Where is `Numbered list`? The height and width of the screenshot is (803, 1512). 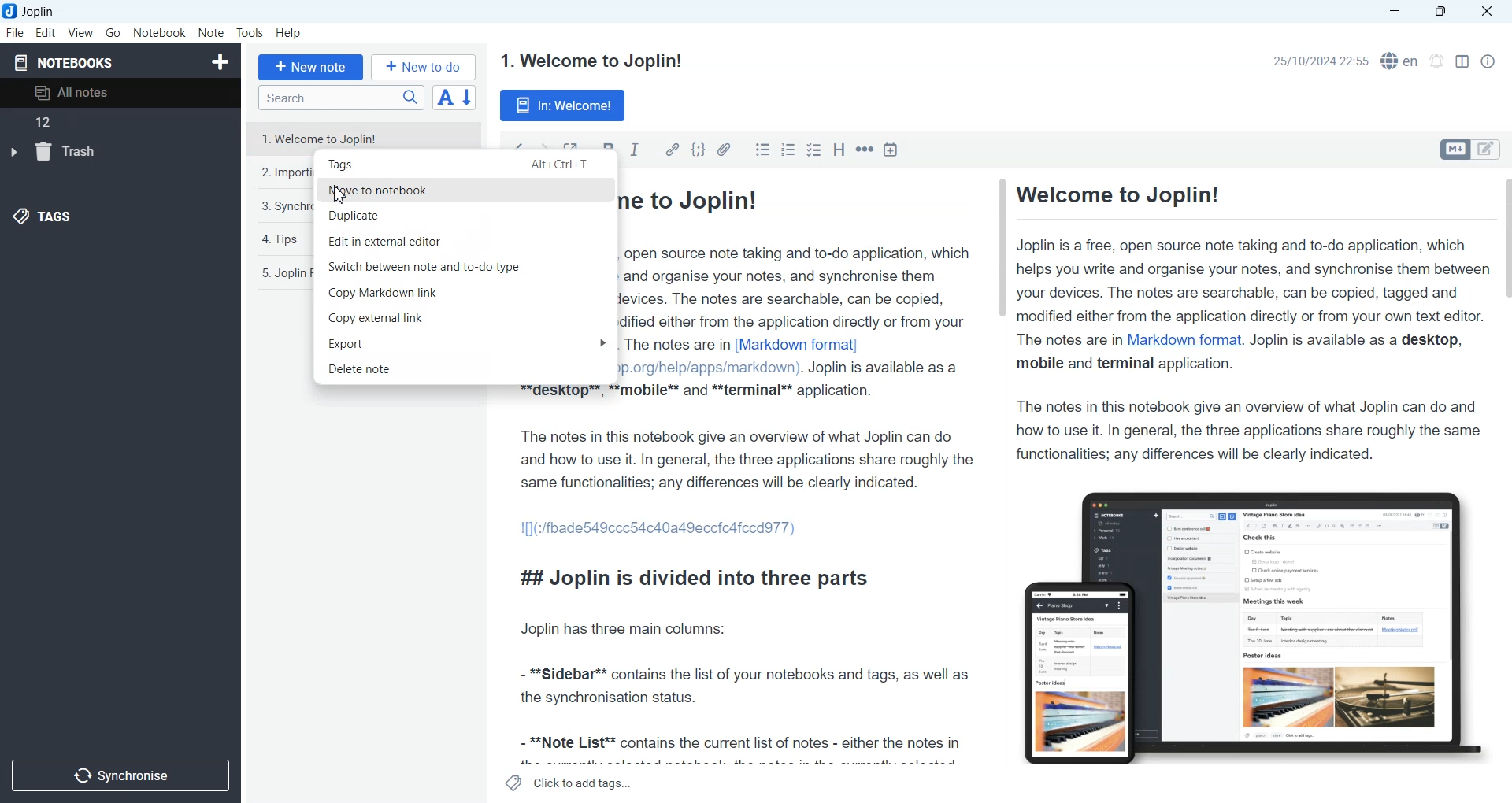 Numbered list is located at coordinates (787, 149).